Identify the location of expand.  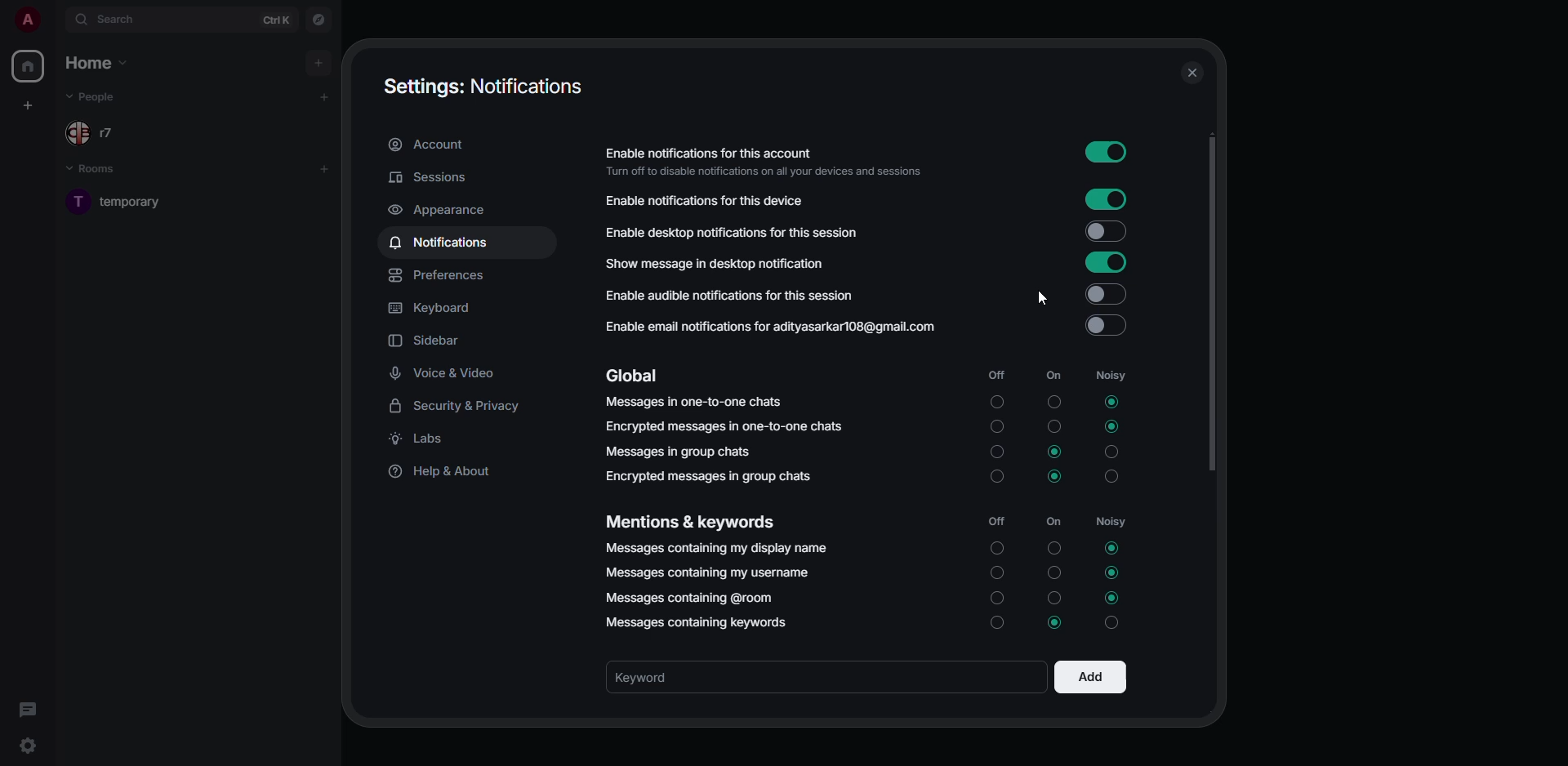
(56, 20).